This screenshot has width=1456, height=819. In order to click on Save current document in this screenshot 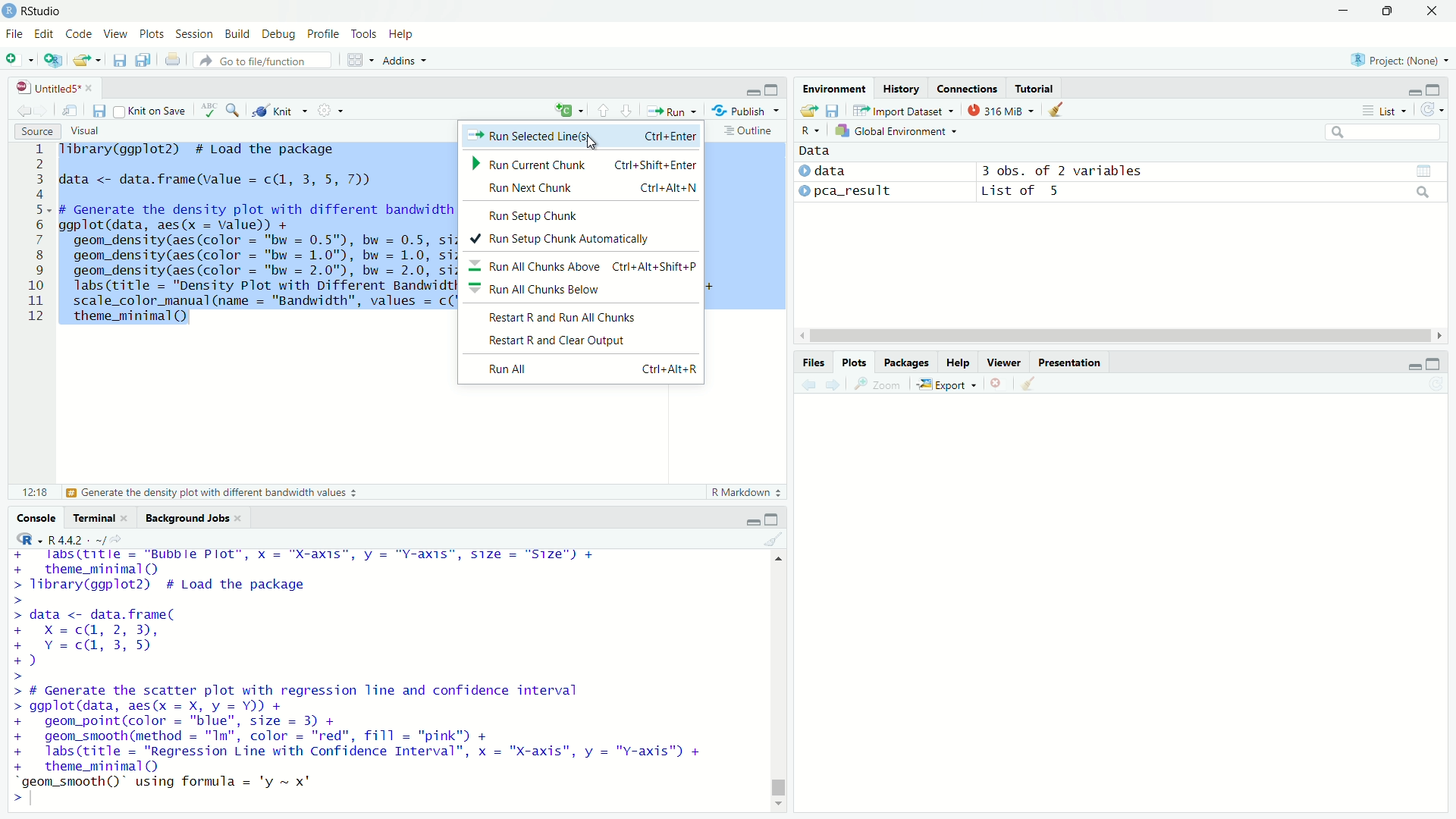, I will do `click(119, 61)`.